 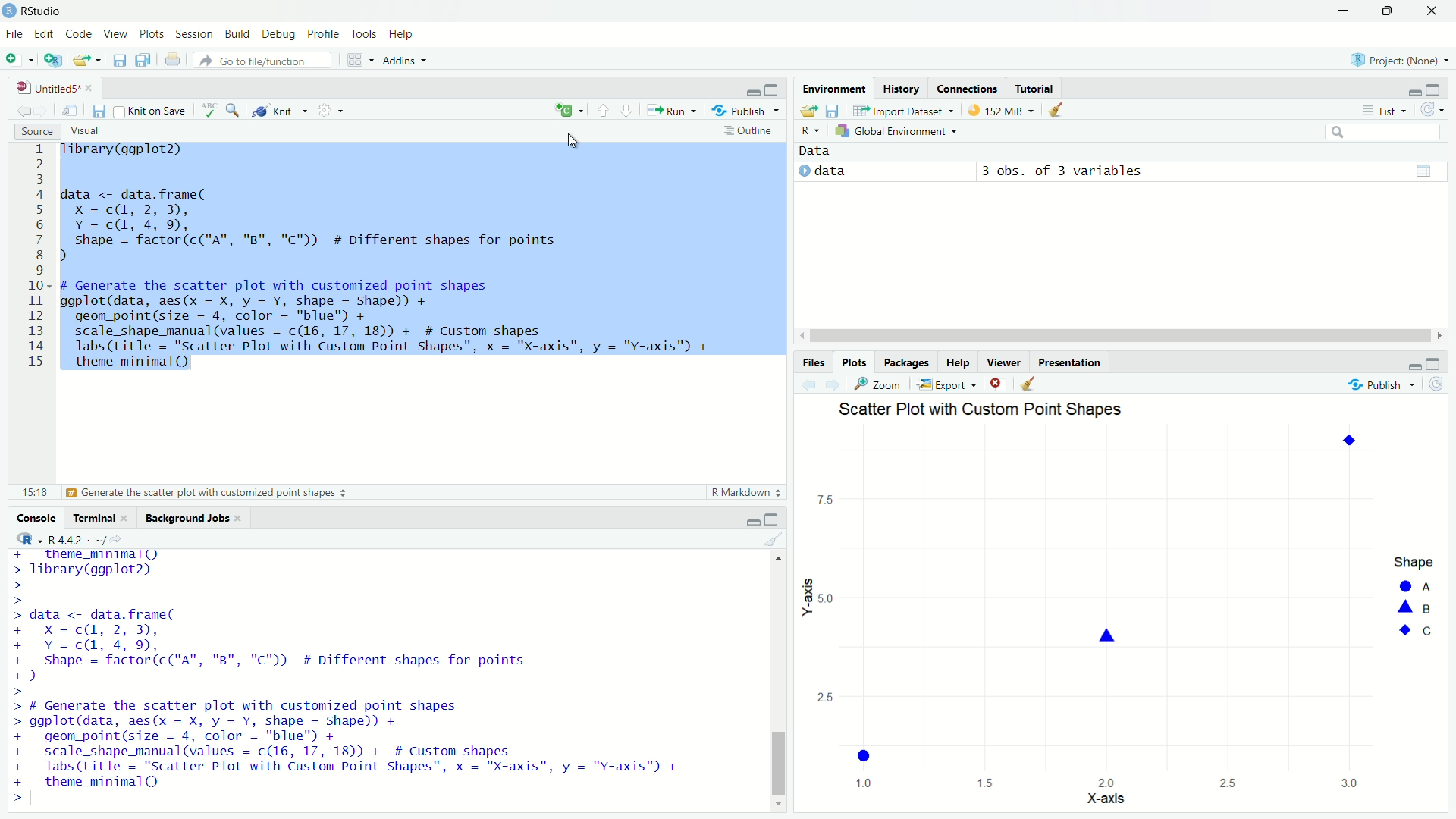 What do you see at coordinates (1121, 335) in the screenshot?
I see `horizontal scroll bar` at bounding box center [1121, 335].